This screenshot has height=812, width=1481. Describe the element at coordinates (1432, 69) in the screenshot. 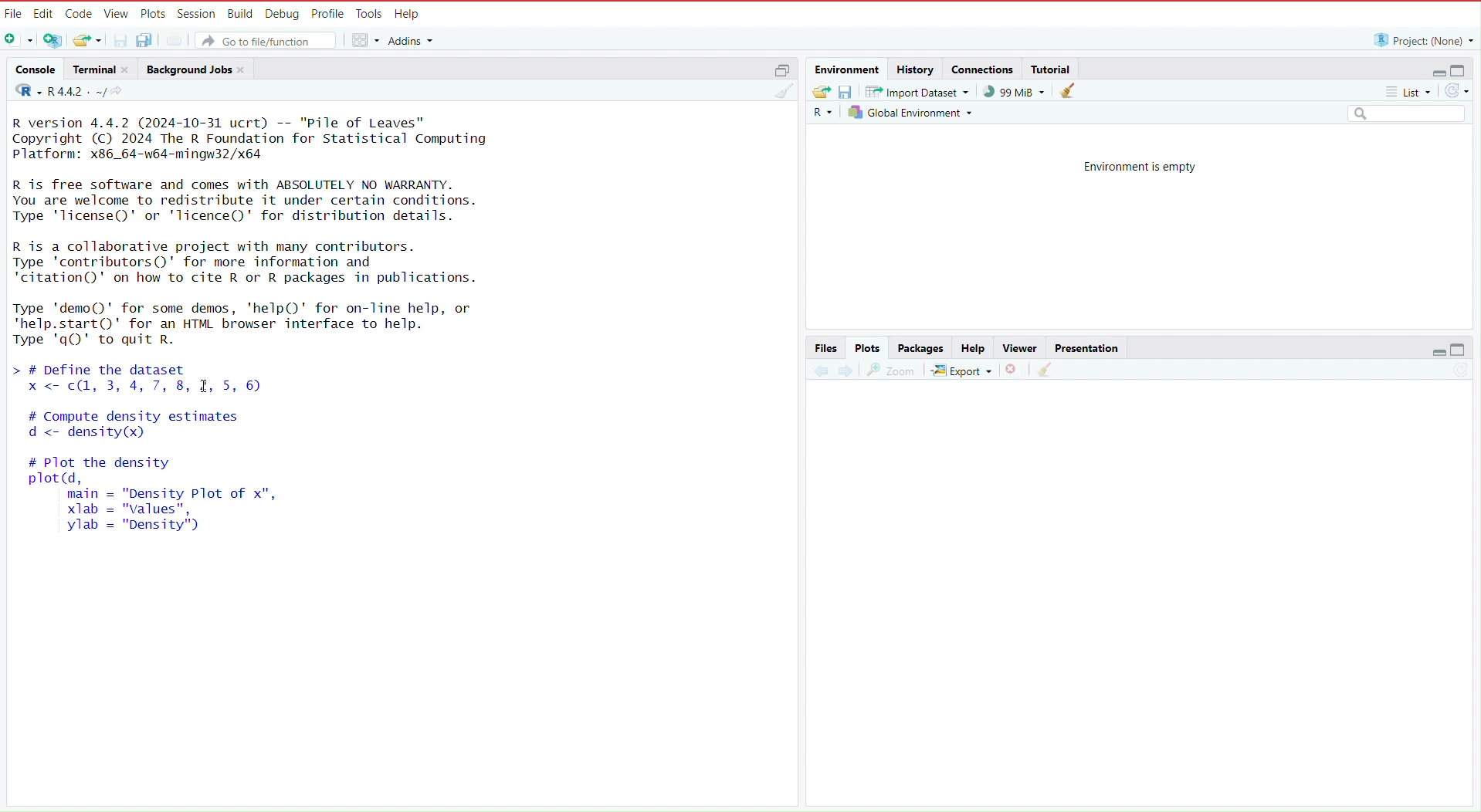

I see `minimize` at that location.